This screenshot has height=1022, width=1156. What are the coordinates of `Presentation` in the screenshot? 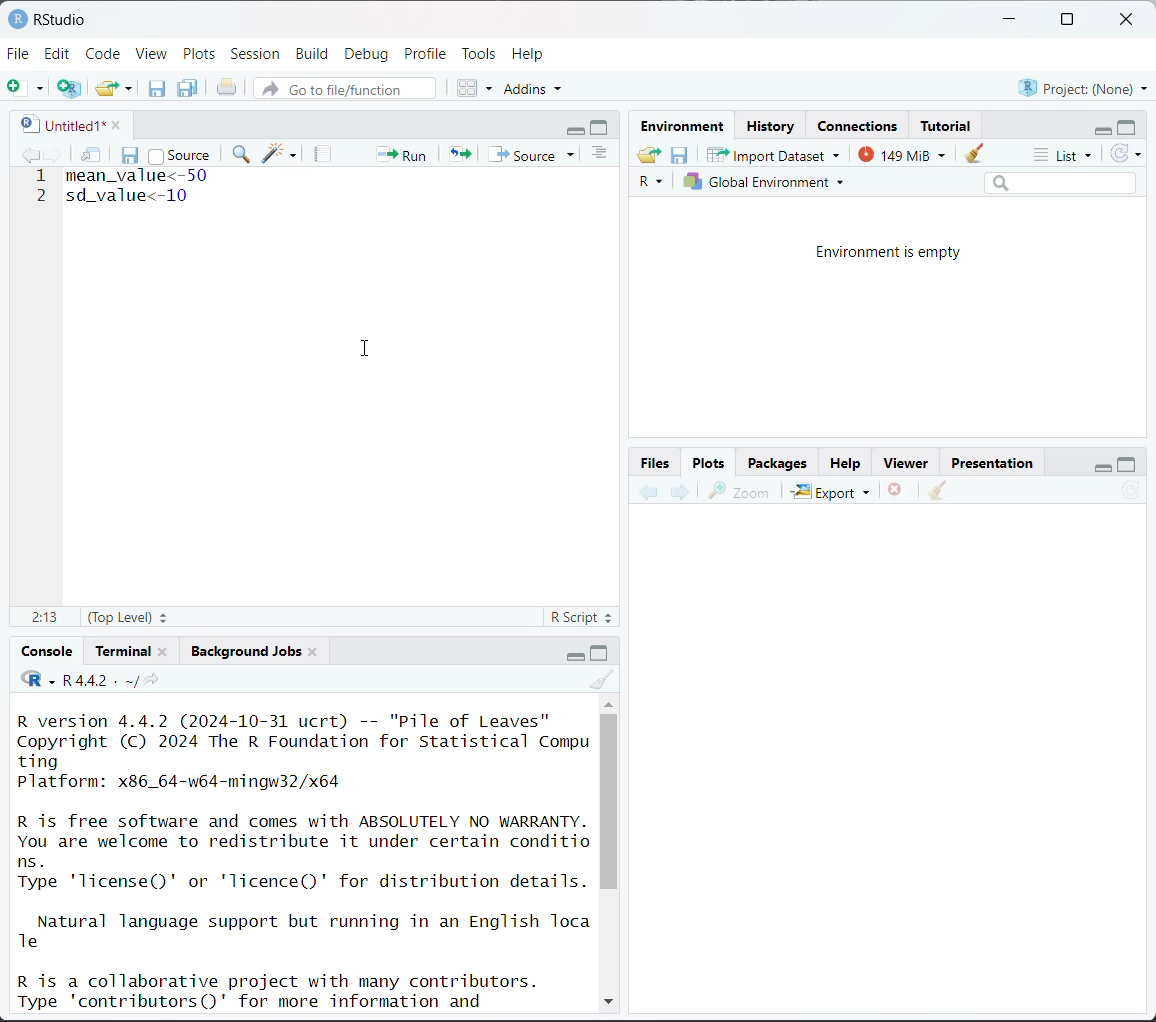 It's located at (993, 464).